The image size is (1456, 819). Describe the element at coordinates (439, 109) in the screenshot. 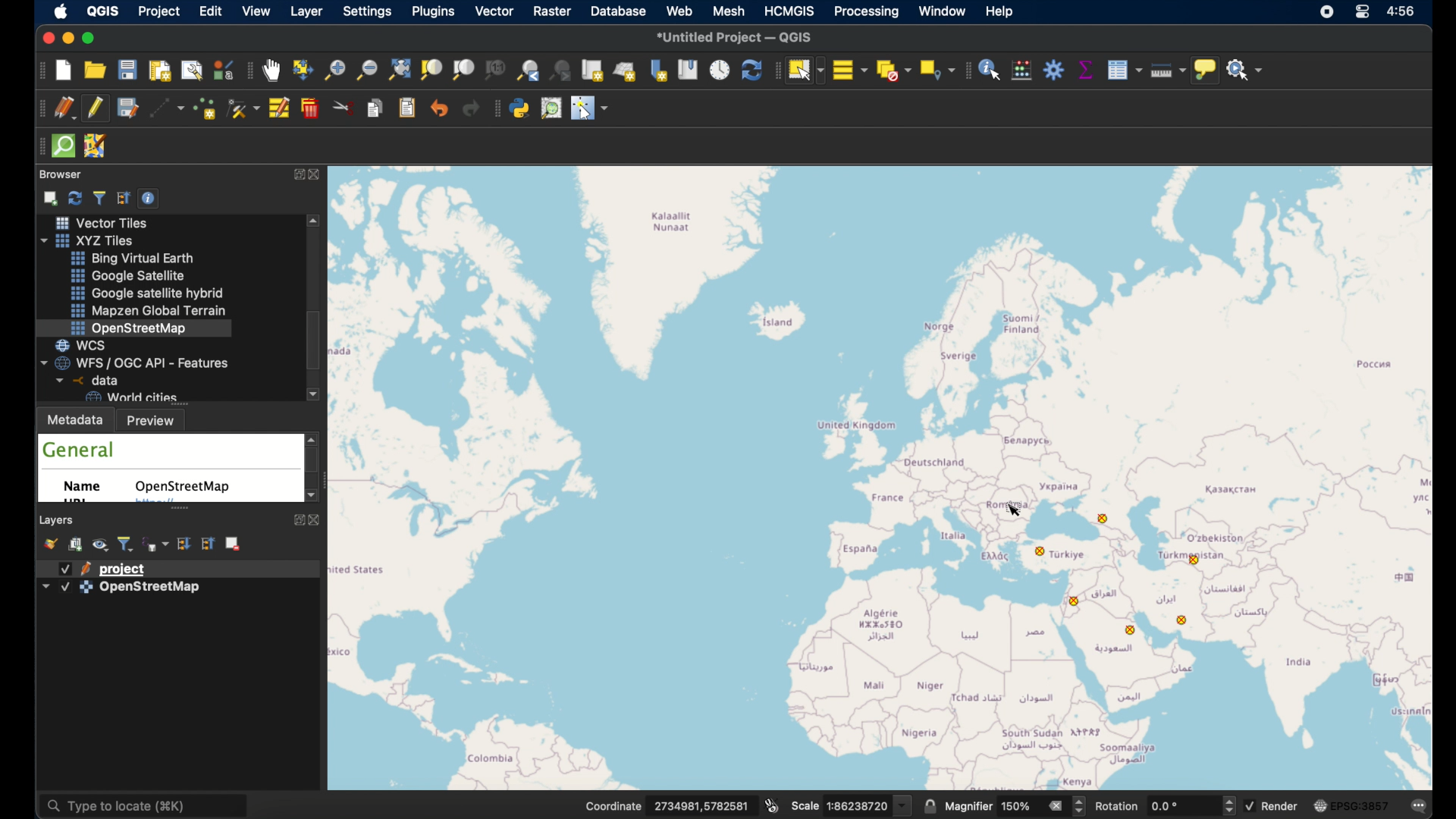

I see `undo` at that location.